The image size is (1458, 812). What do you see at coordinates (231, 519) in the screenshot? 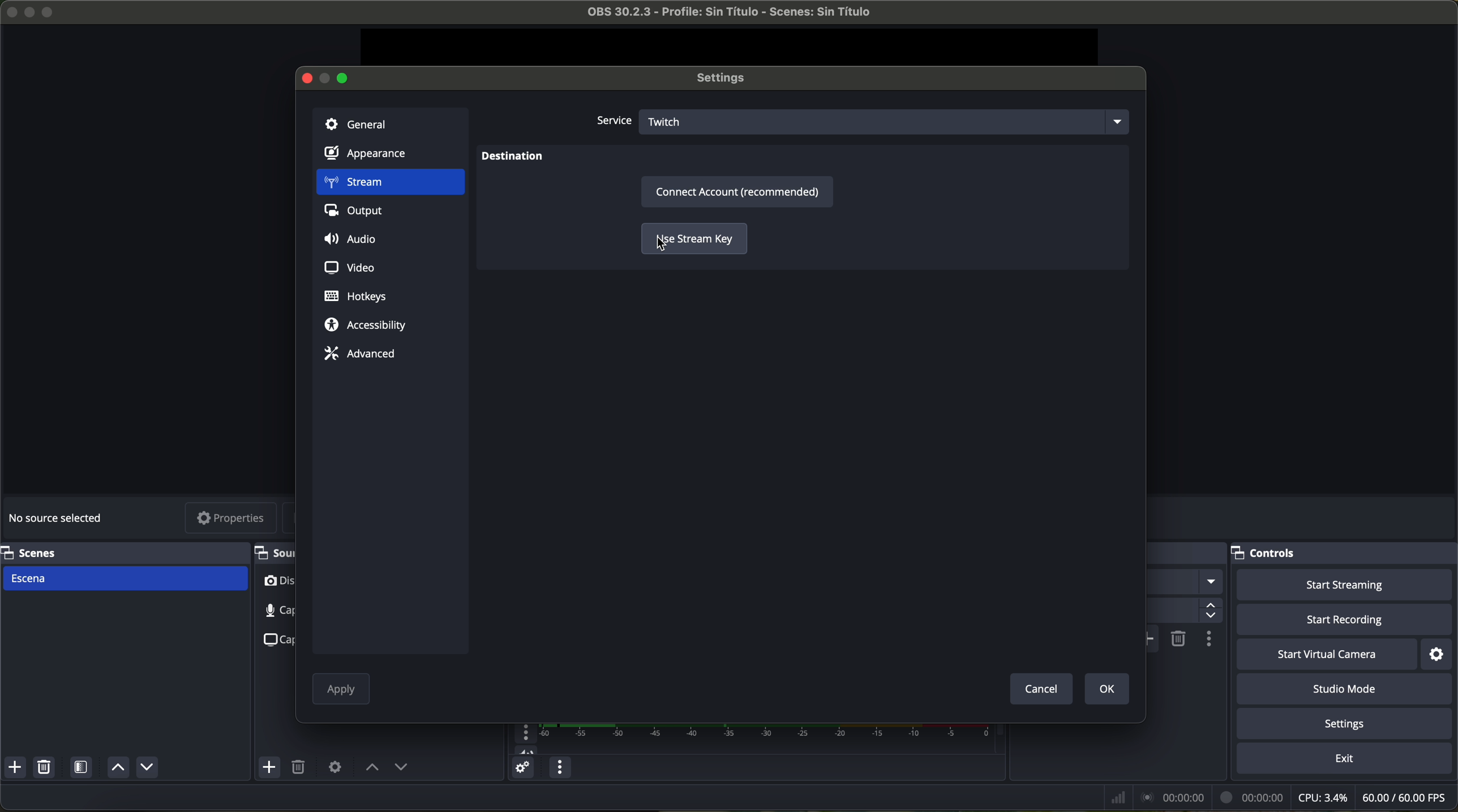
I see `properties` at bounding box center [231, 519].